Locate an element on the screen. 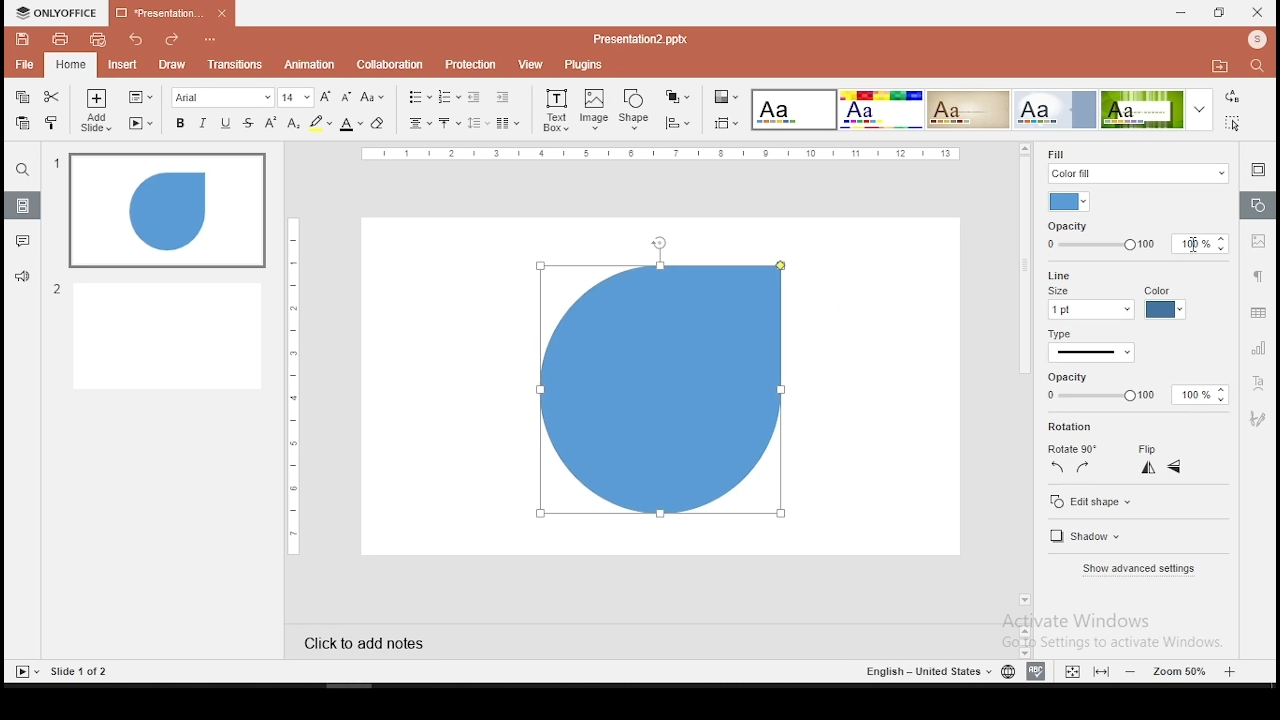  minimize is located at coordinates (1180, 12).